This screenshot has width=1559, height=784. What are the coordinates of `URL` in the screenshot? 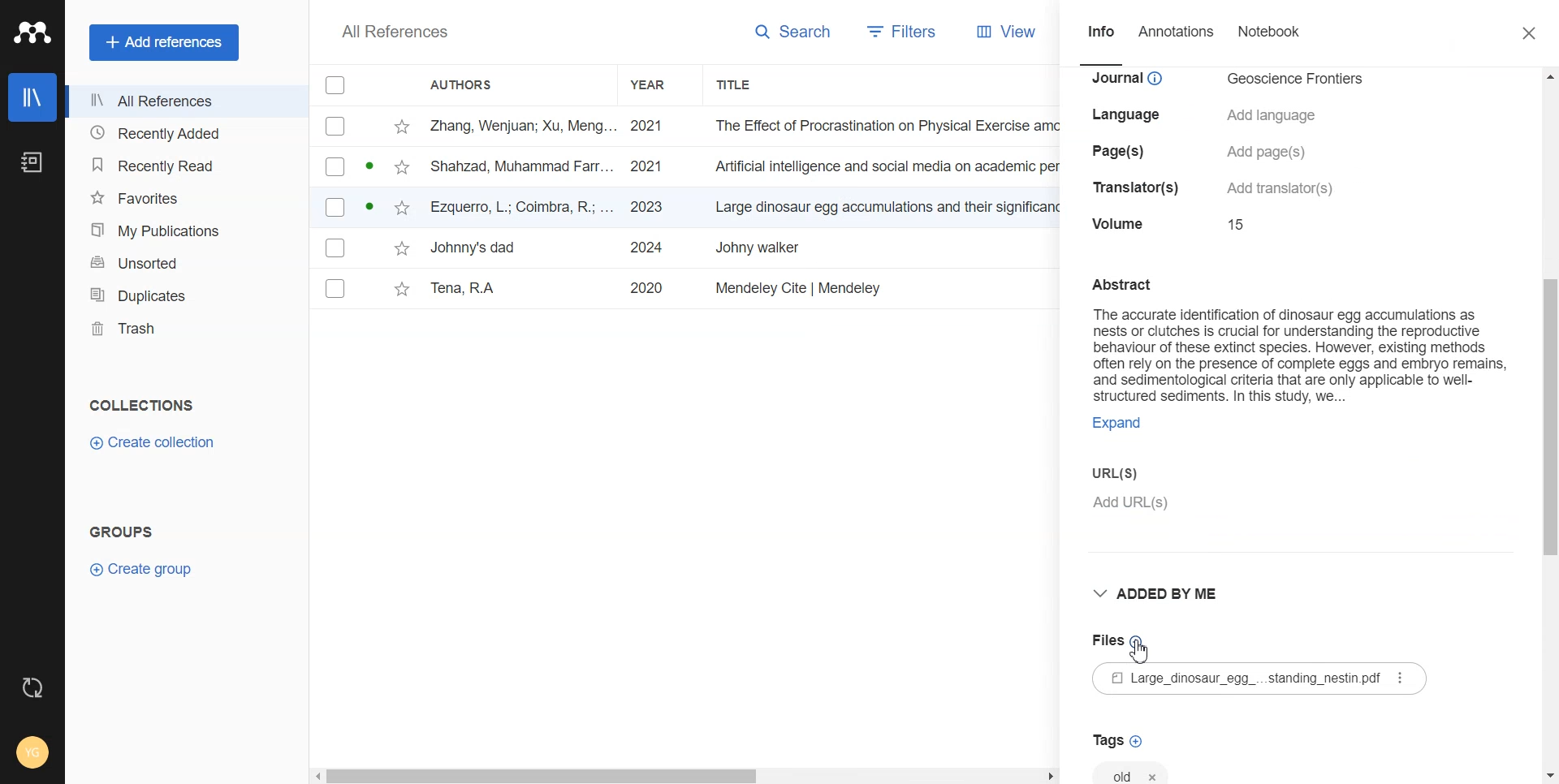 It's located at (1113, 472).